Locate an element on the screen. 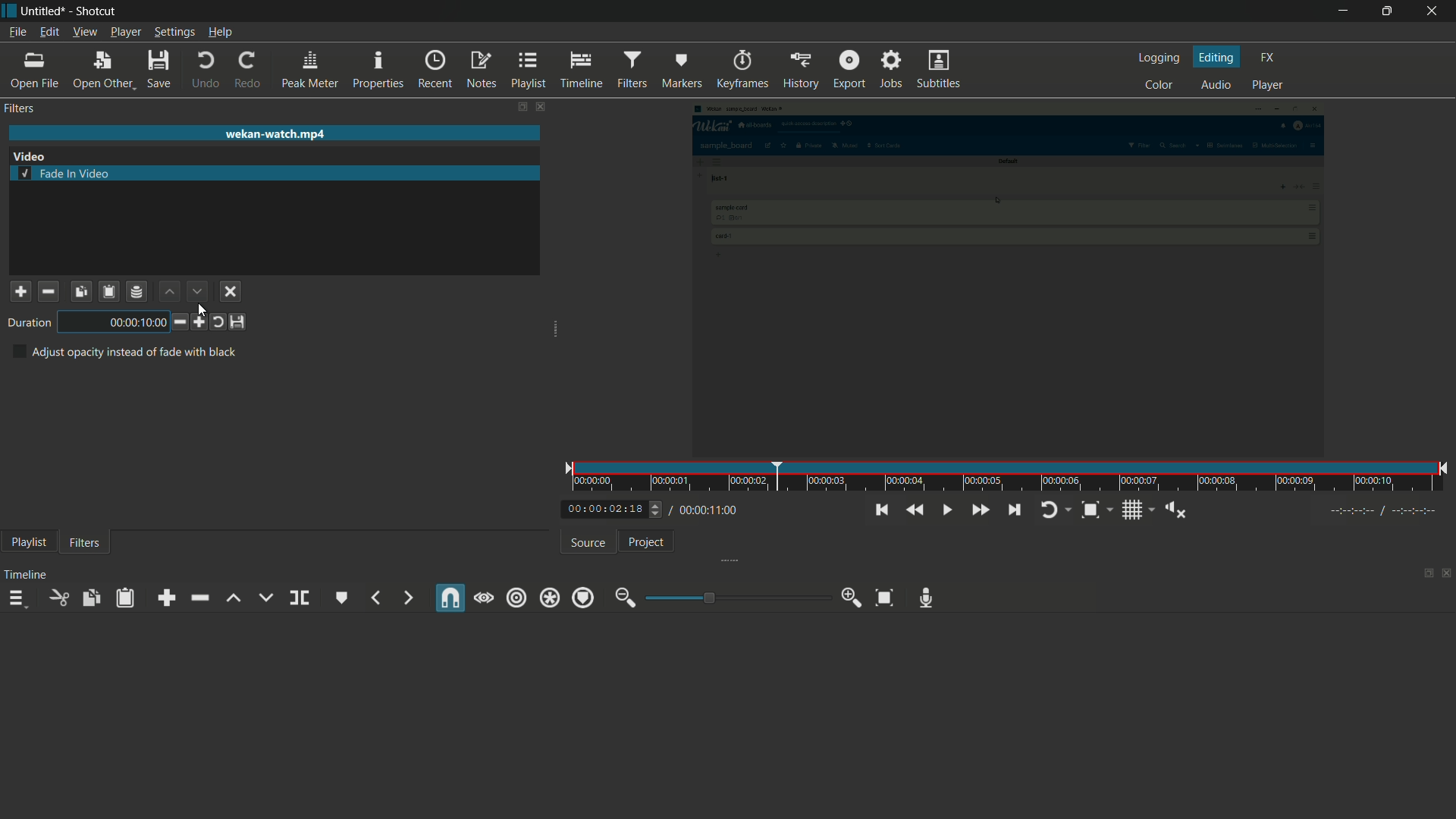 The image size is (1456, 819). app name is located at coordinates (93, 11).